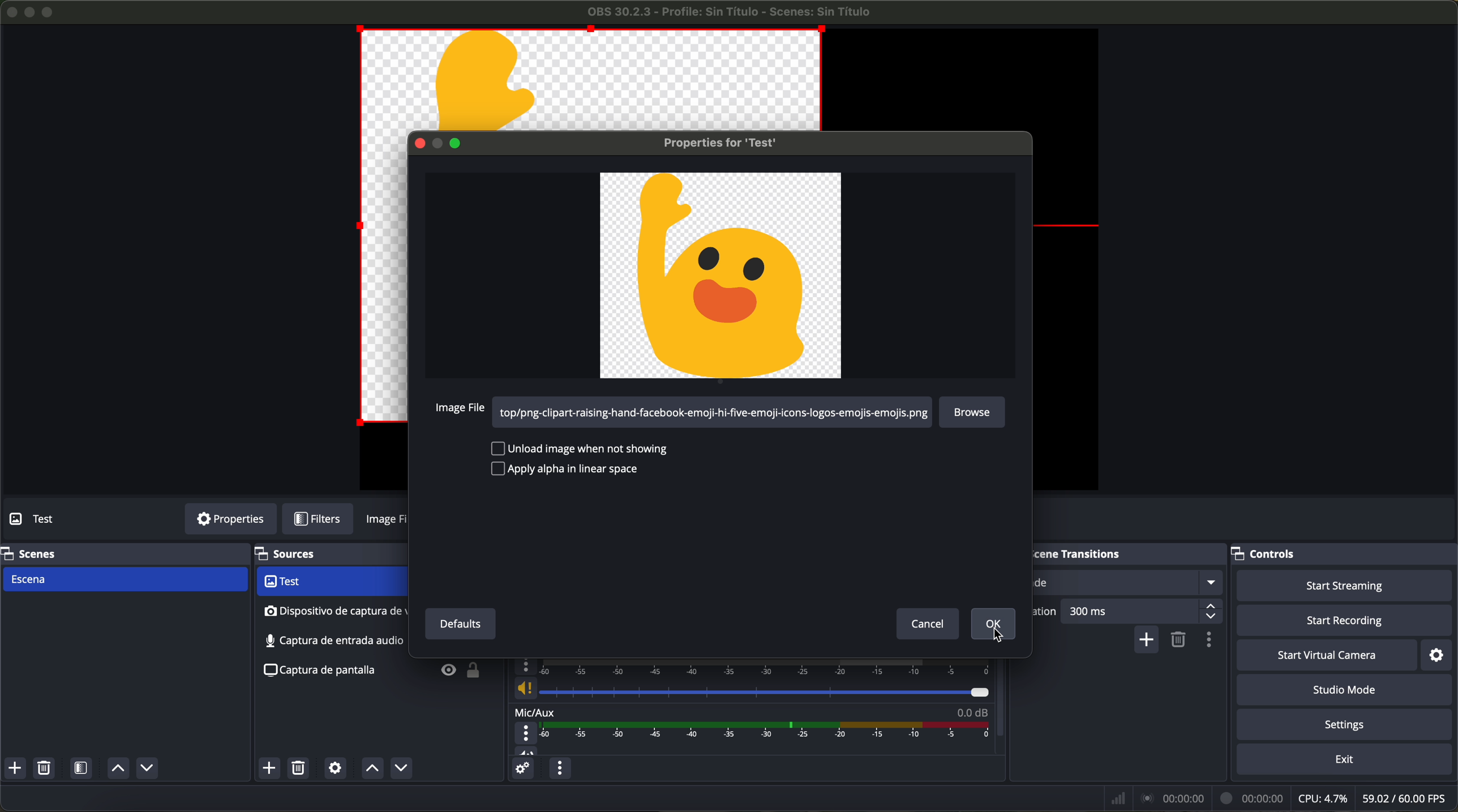 Image resolution: width=1458 pixels, height=812 pixels. I want to click on advanced audio properties, so click(522, 768).